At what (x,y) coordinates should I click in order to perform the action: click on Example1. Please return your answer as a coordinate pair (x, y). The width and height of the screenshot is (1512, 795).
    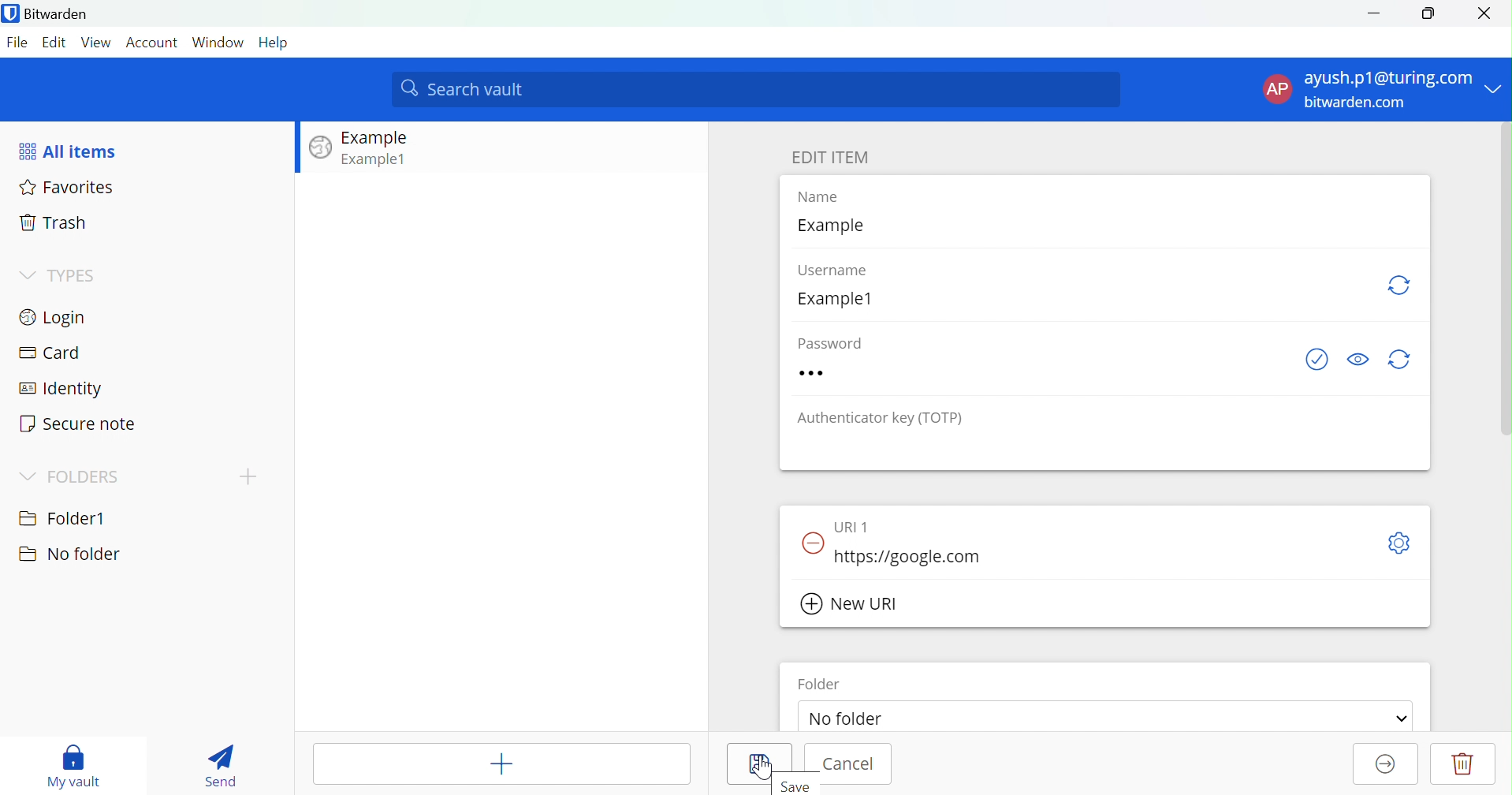
    Looking at the image, I should click on (376, 159).